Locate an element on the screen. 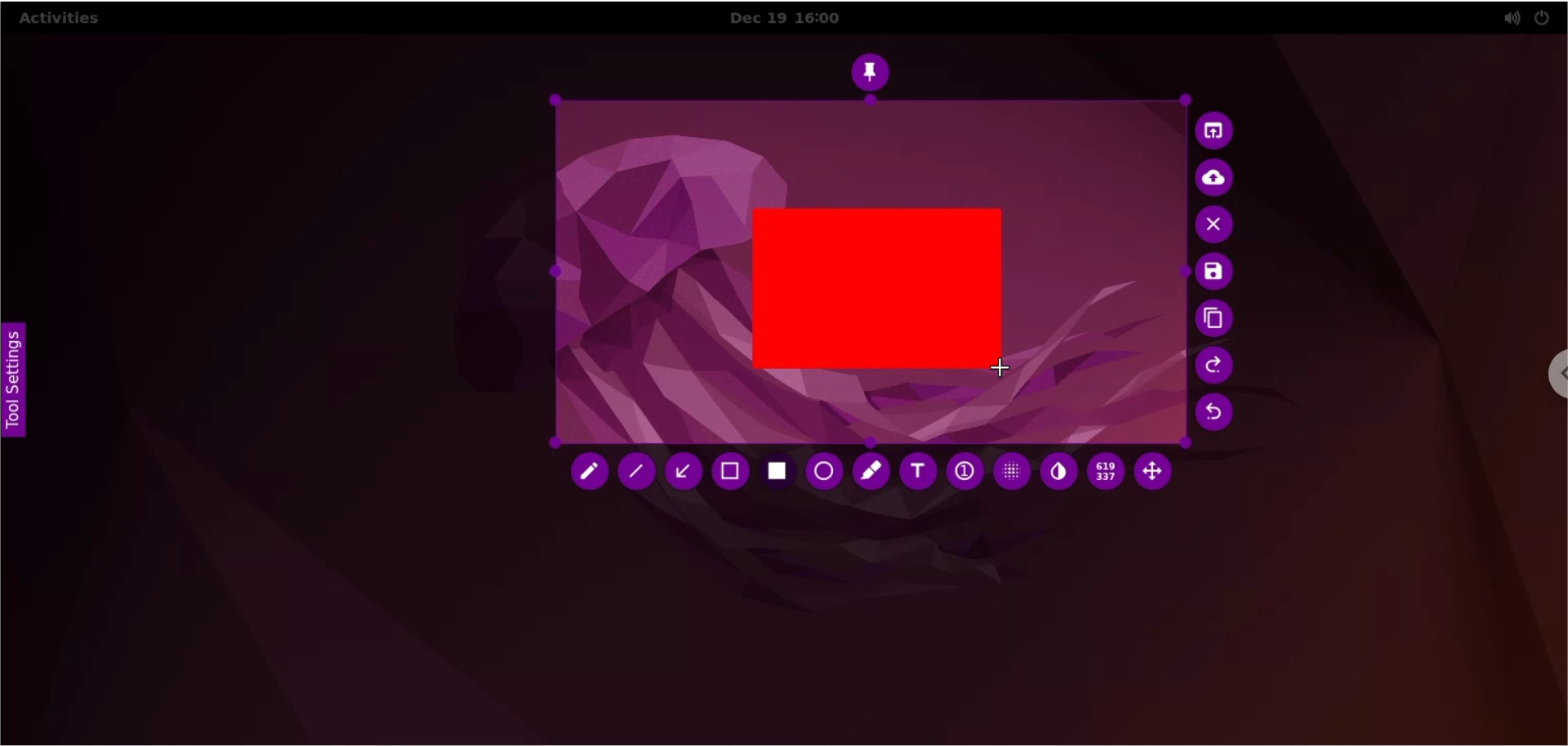 Image resolution: width=1568 pixels, height=746 pixels. save is located at coordinates (1209, 273).